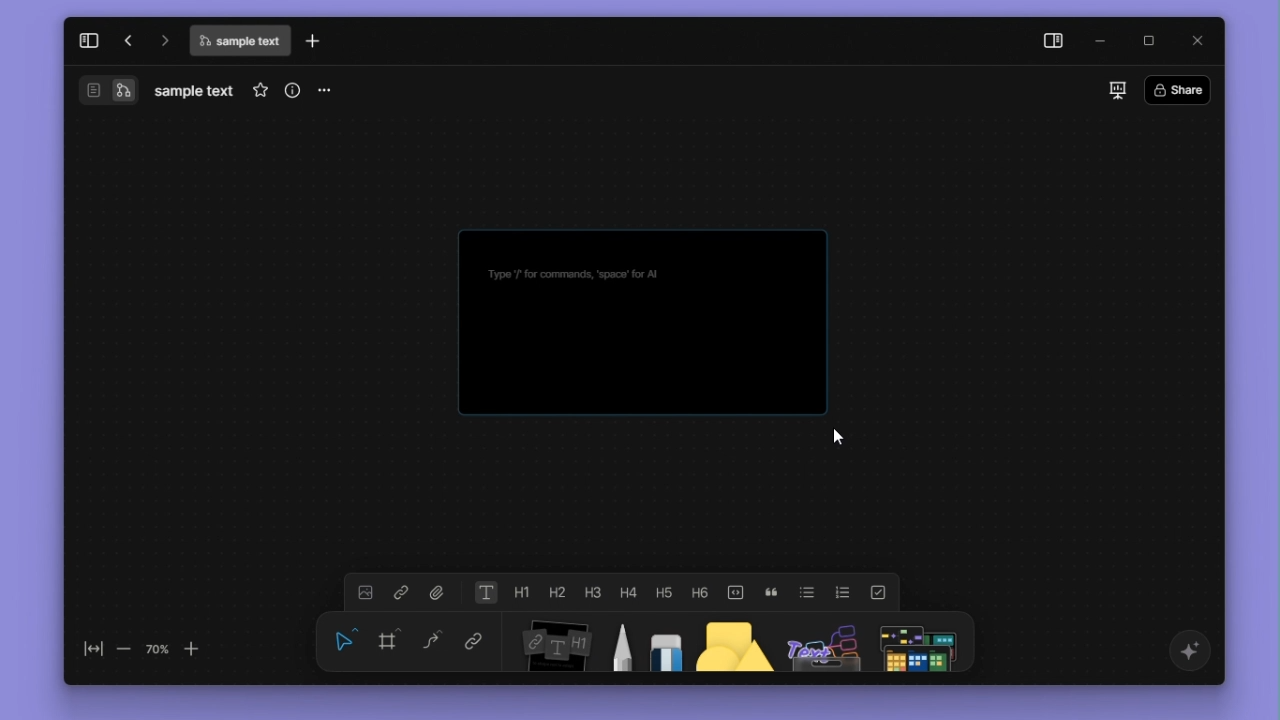 This screenshot has height=720, width=1280. Describe the element at coordinates (400, 593) in the screenshot. I see `link` at that location.